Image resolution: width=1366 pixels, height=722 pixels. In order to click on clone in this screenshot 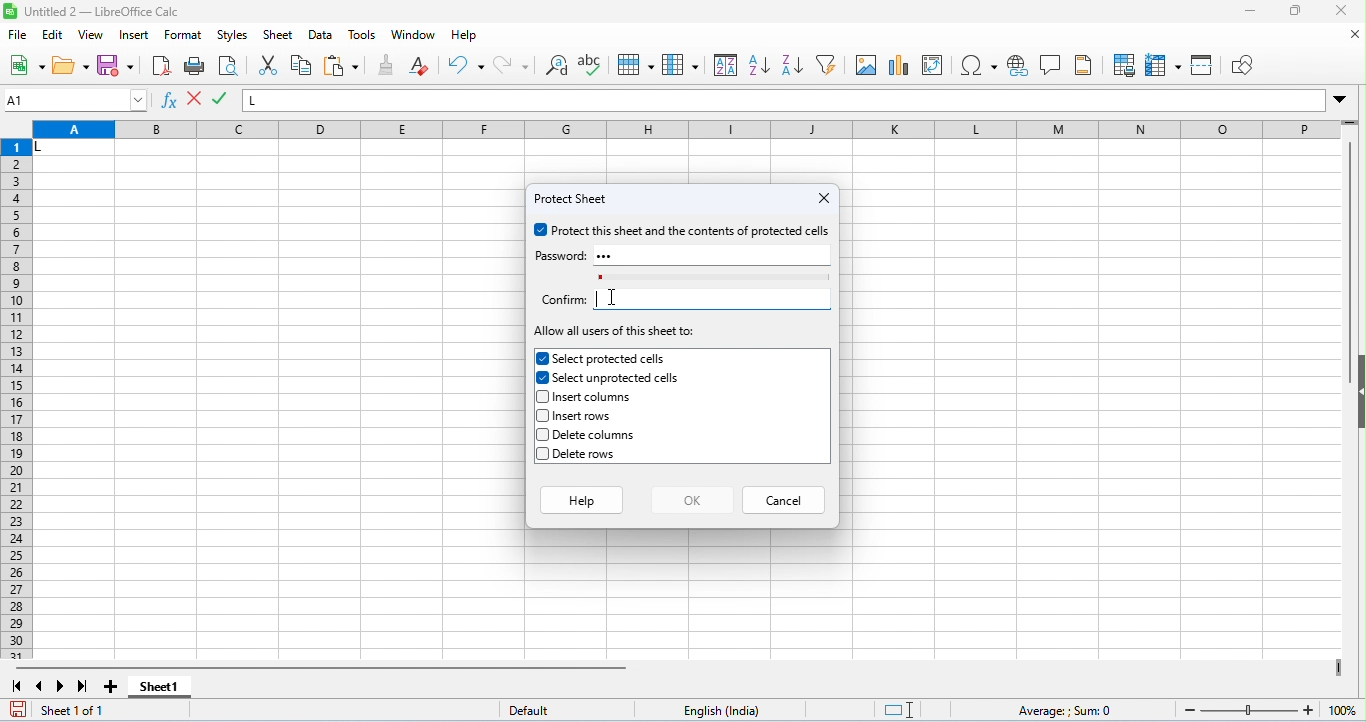, I will do `click(388, 64)`.